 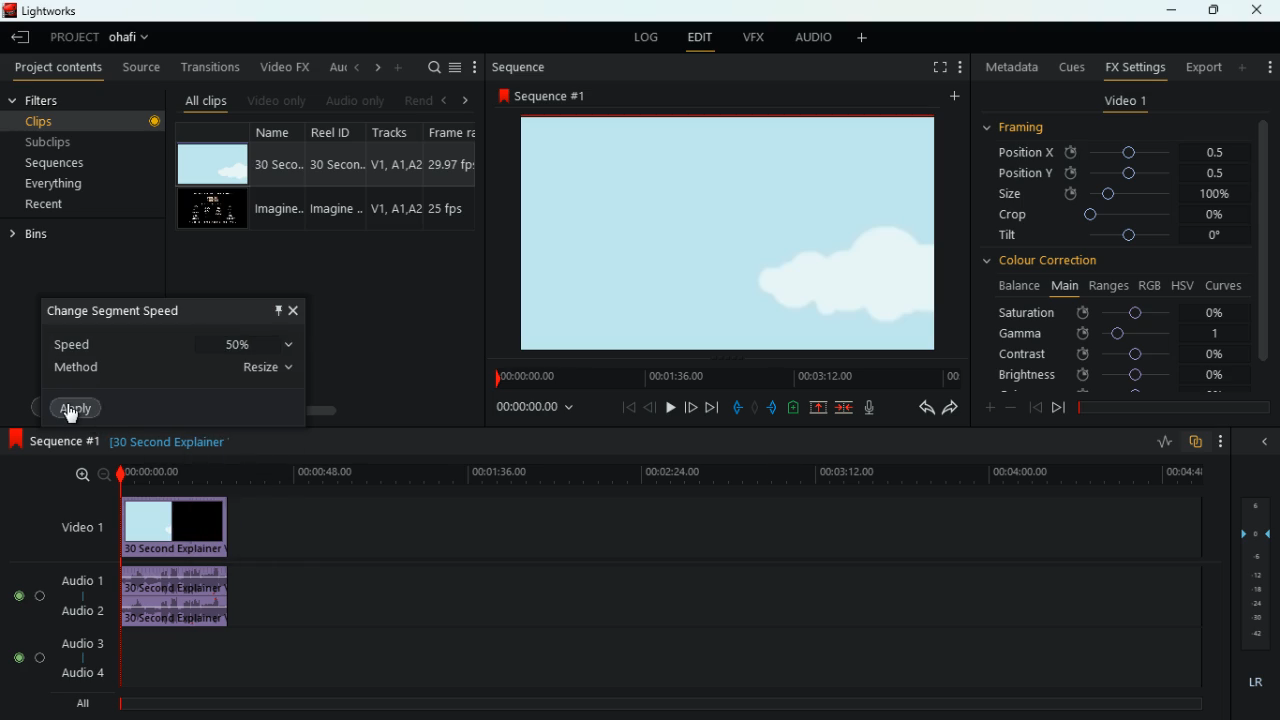 I want to click on change speed segment, so click(x=125, y=313).